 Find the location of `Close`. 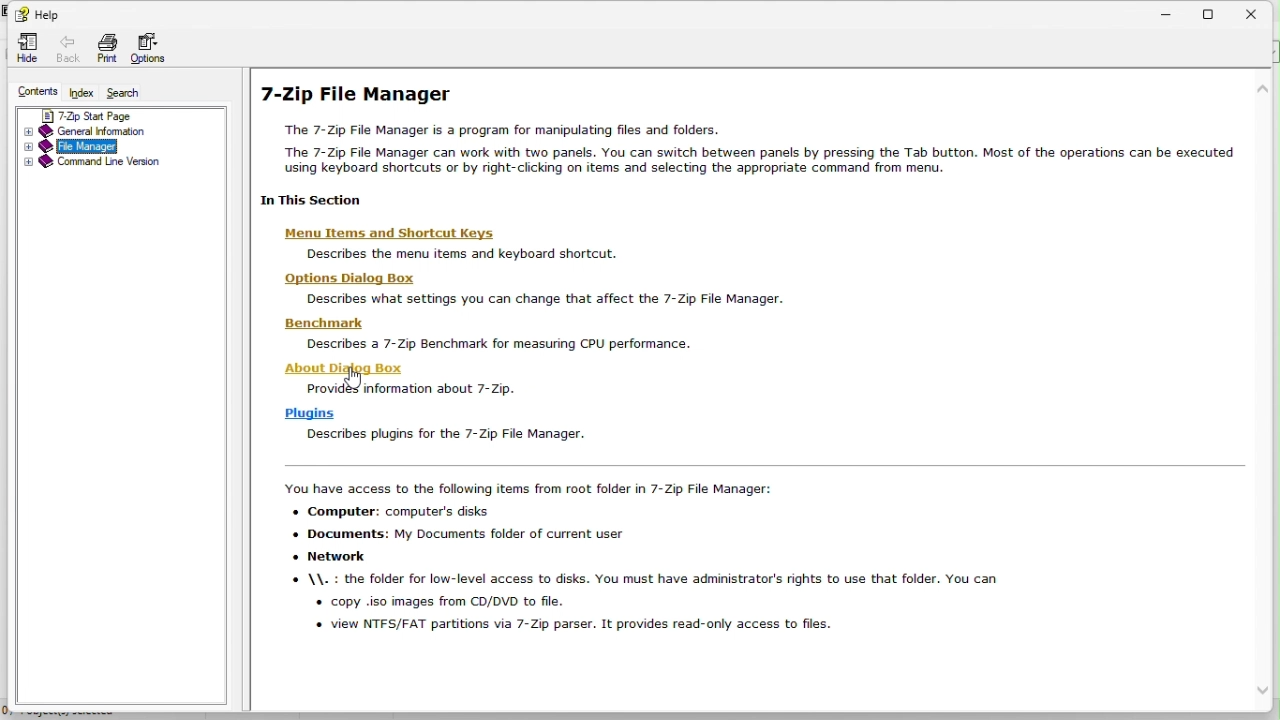

Close is located at coordinates (1260, 12).